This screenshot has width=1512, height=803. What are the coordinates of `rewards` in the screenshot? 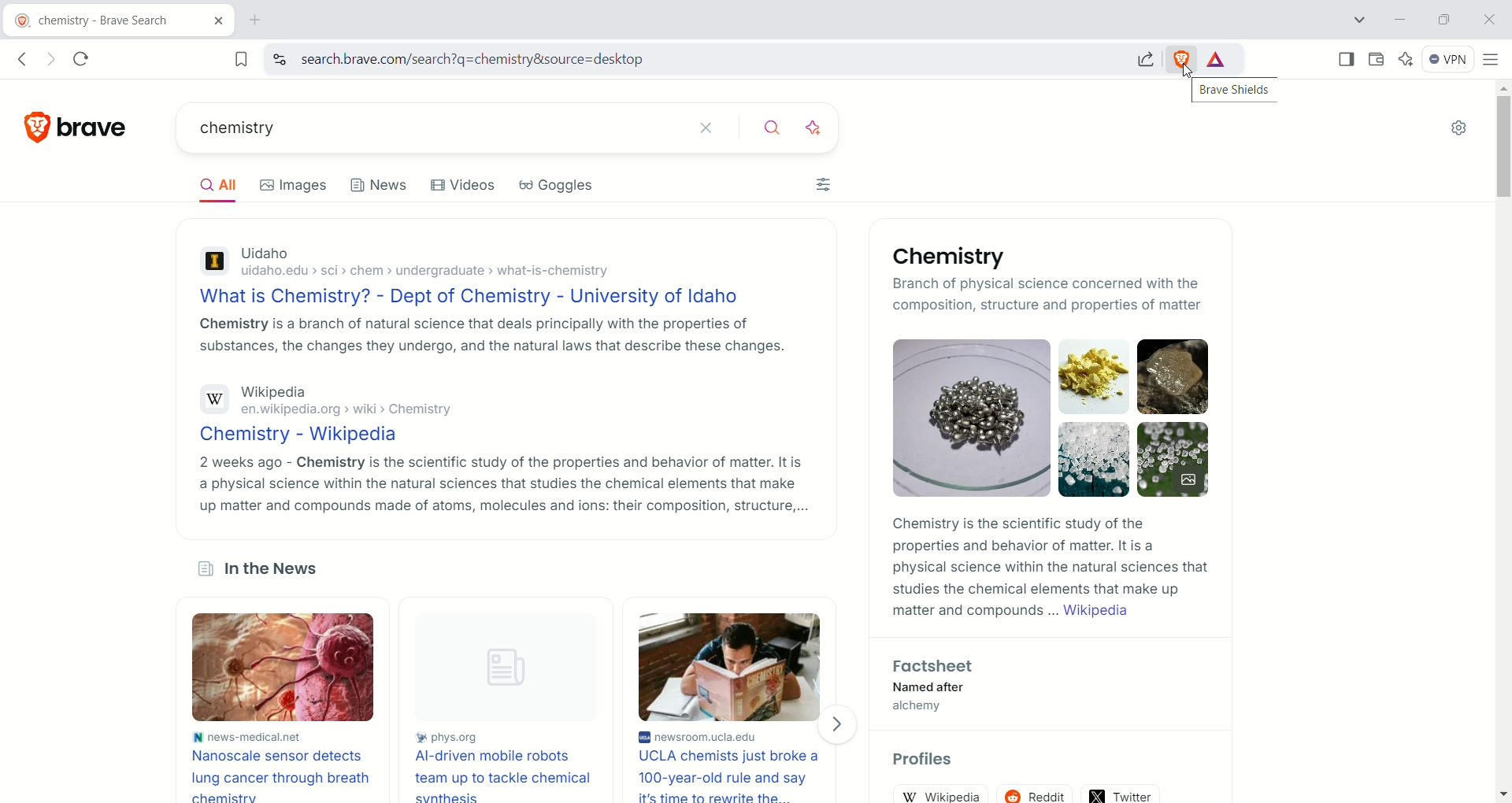 It's located at (1216, 60).